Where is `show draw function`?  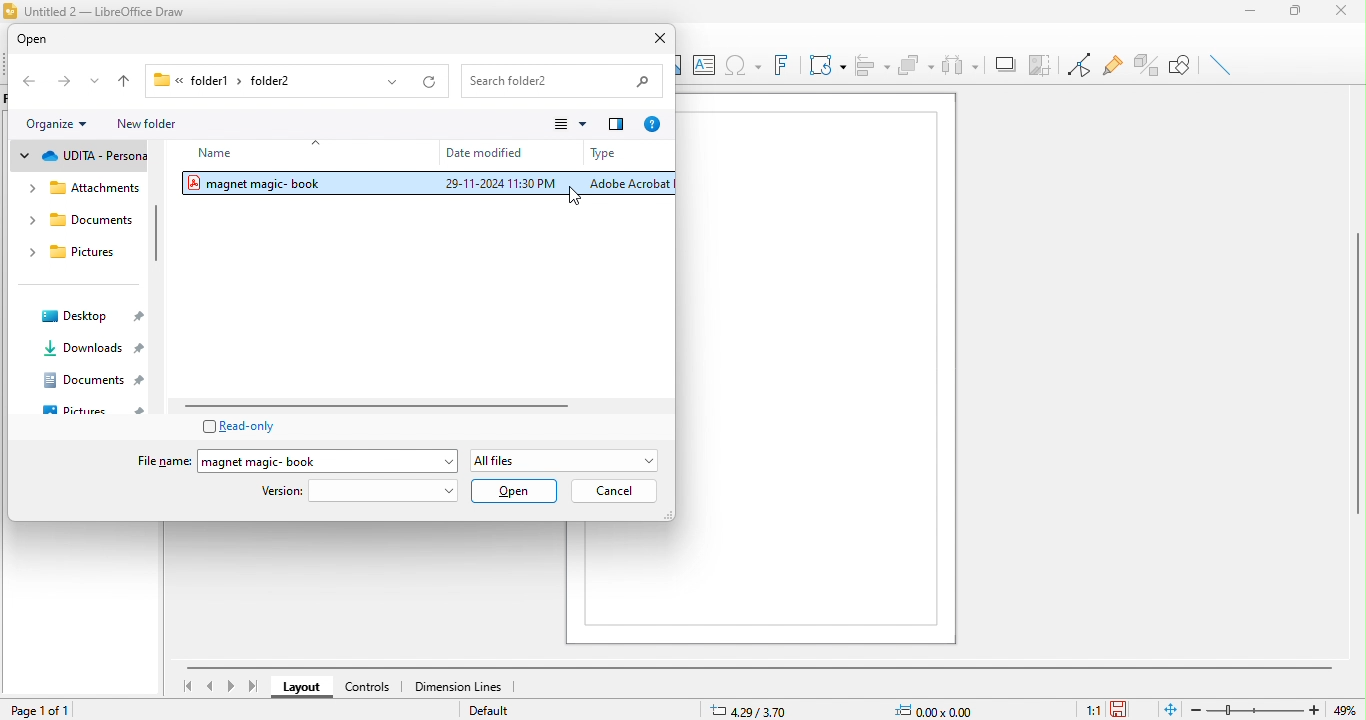 show draw function is located at coordinates (1184, 64).